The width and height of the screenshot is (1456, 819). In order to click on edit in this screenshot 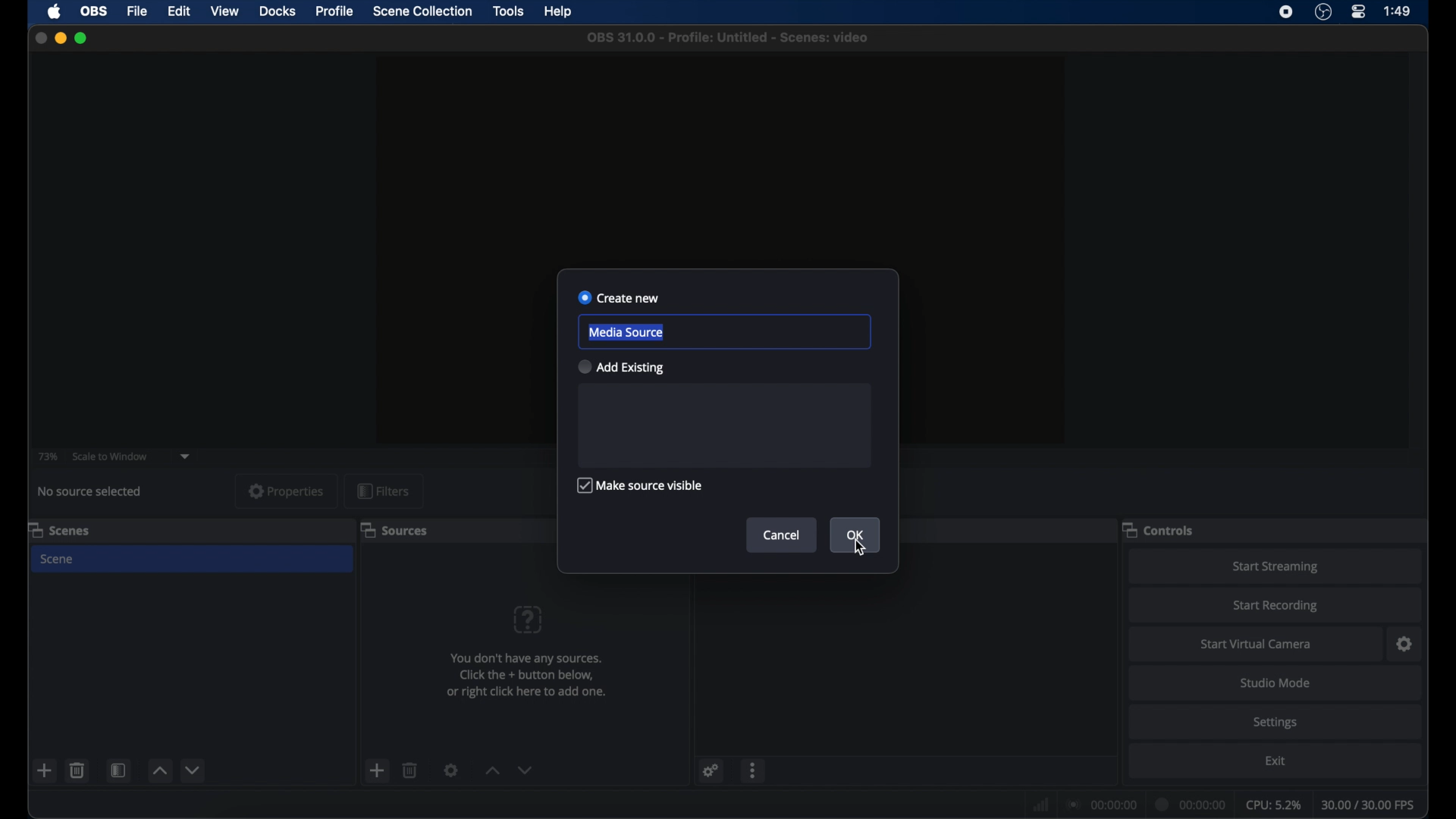, I will do `click(178, 11)`.